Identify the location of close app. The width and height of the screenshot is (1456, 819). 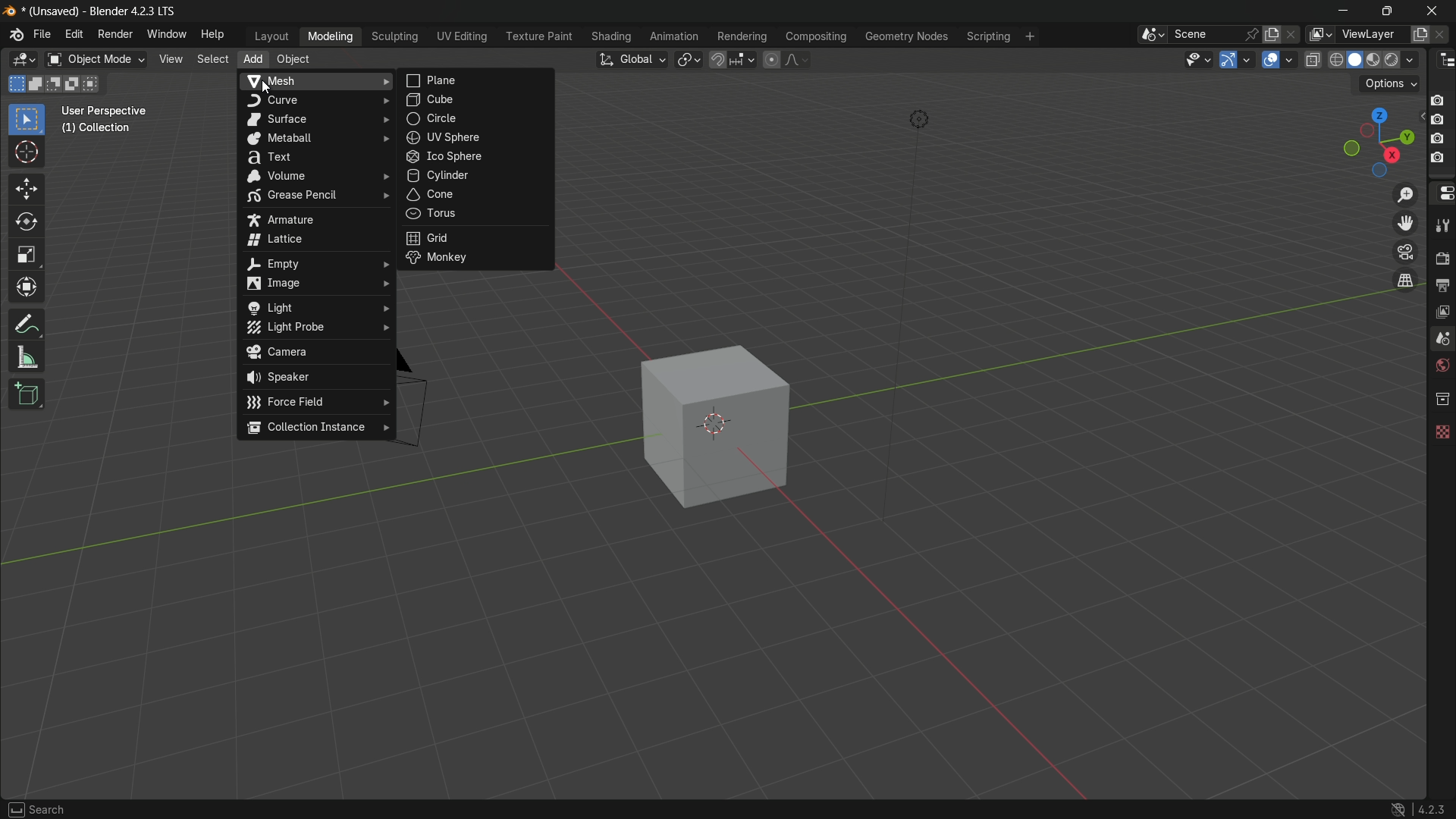
(1435, 11).